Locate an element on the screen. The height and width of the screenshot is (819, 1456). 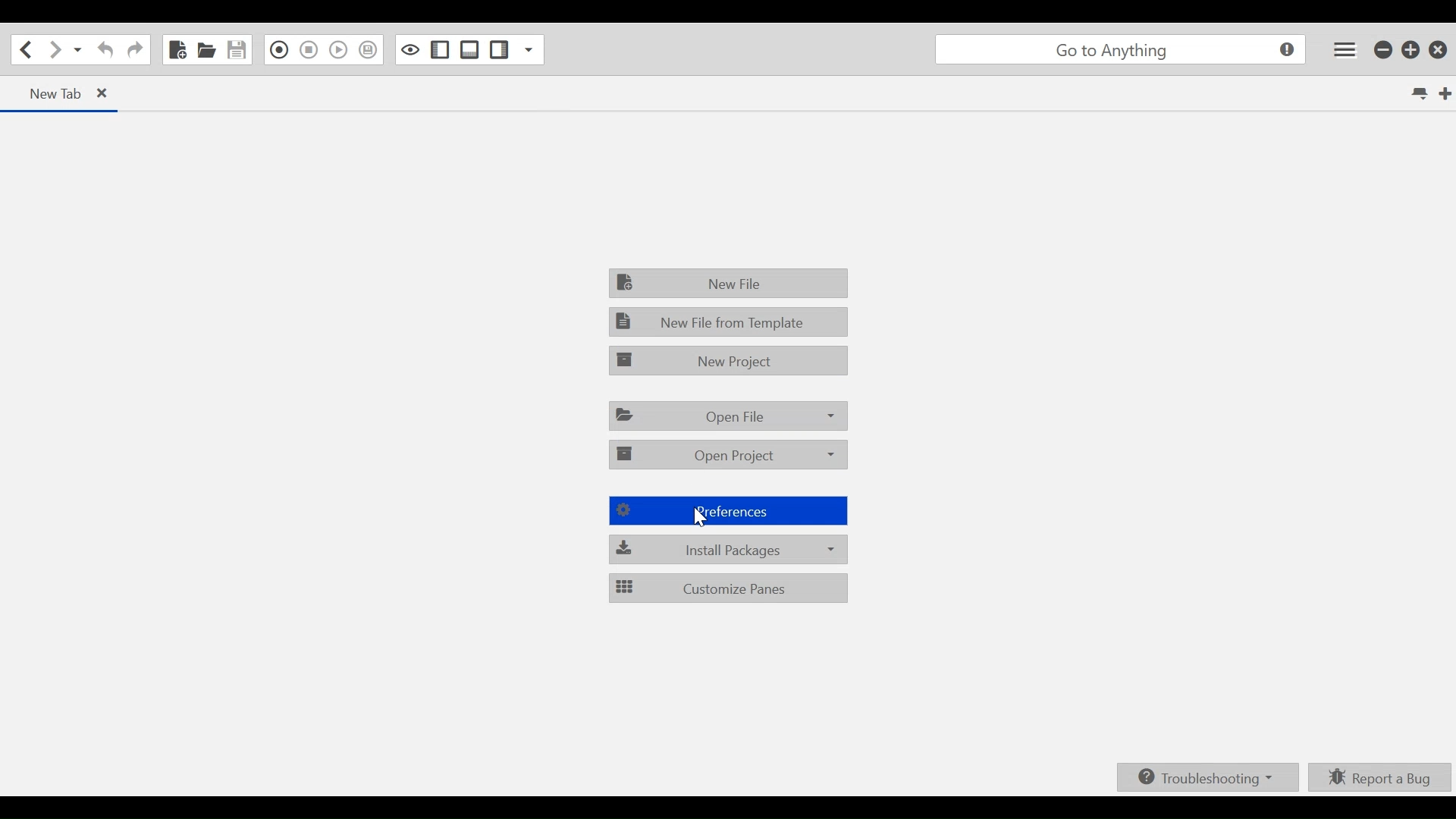
Report a bug is located at coordinates (1377, 777).